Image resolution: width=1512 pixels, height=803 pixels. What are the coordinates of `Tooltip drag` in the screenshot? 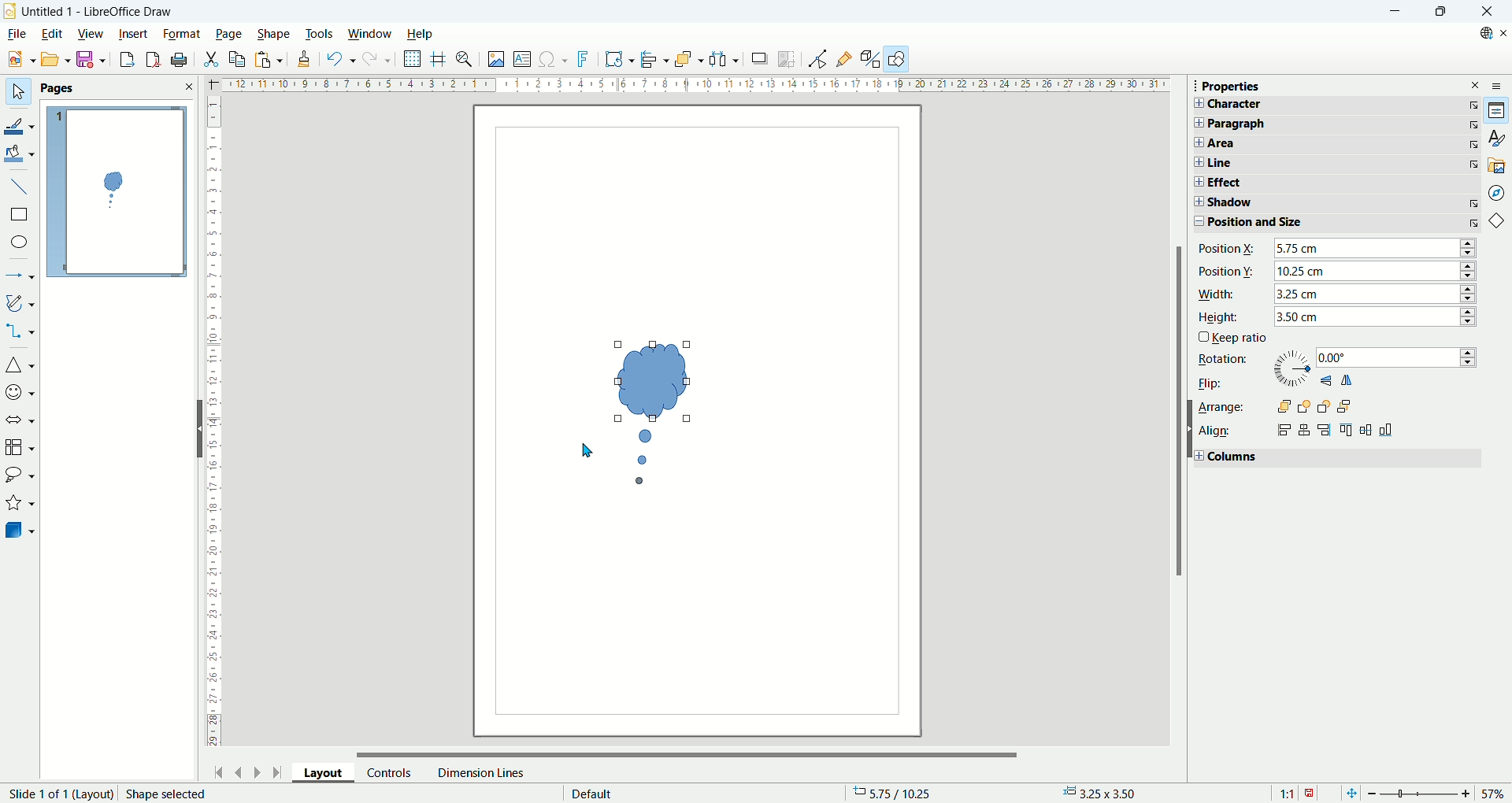 It's located at (1188, 85).